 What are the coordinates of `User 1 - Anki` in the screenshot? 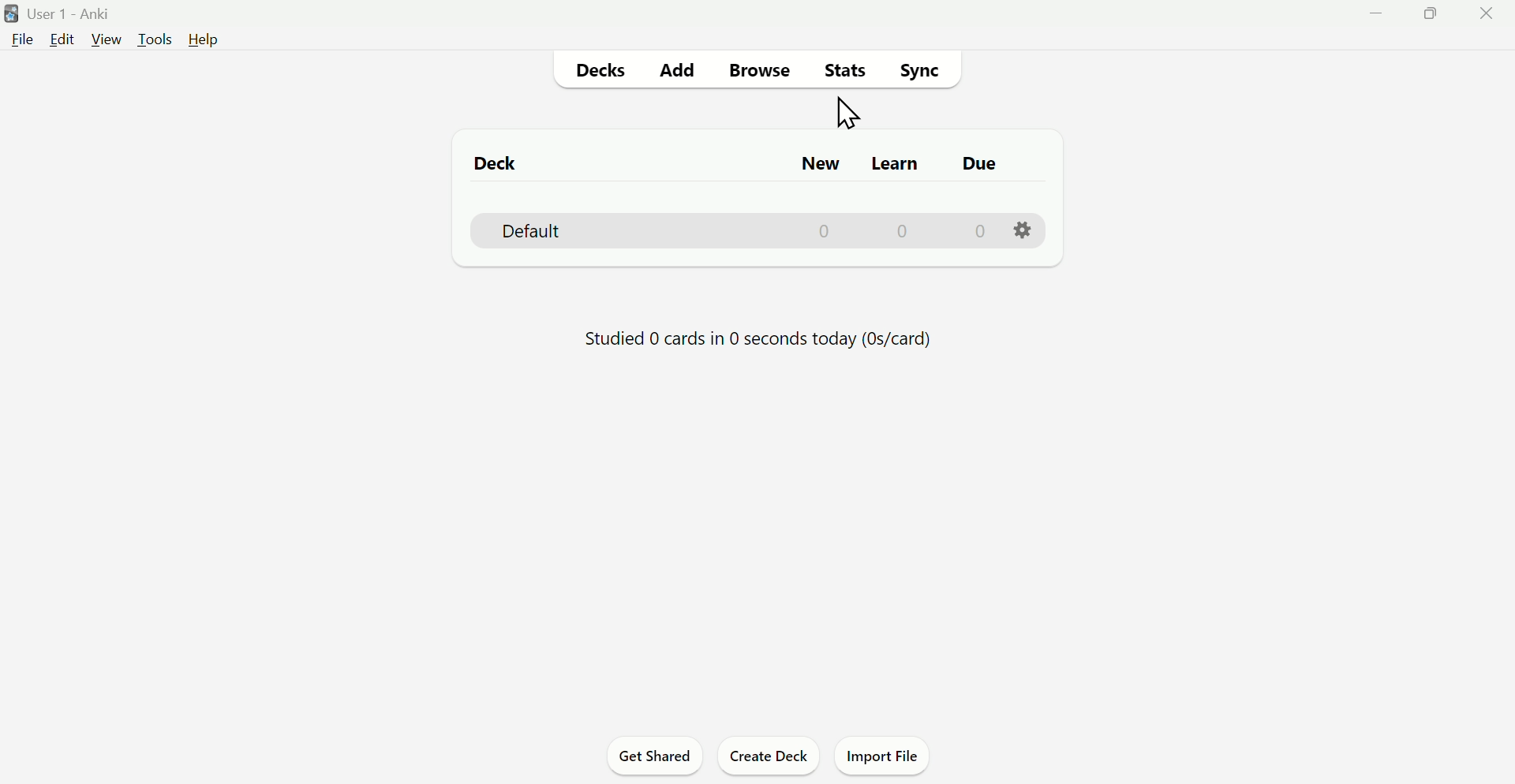 It's located at (66, 13).